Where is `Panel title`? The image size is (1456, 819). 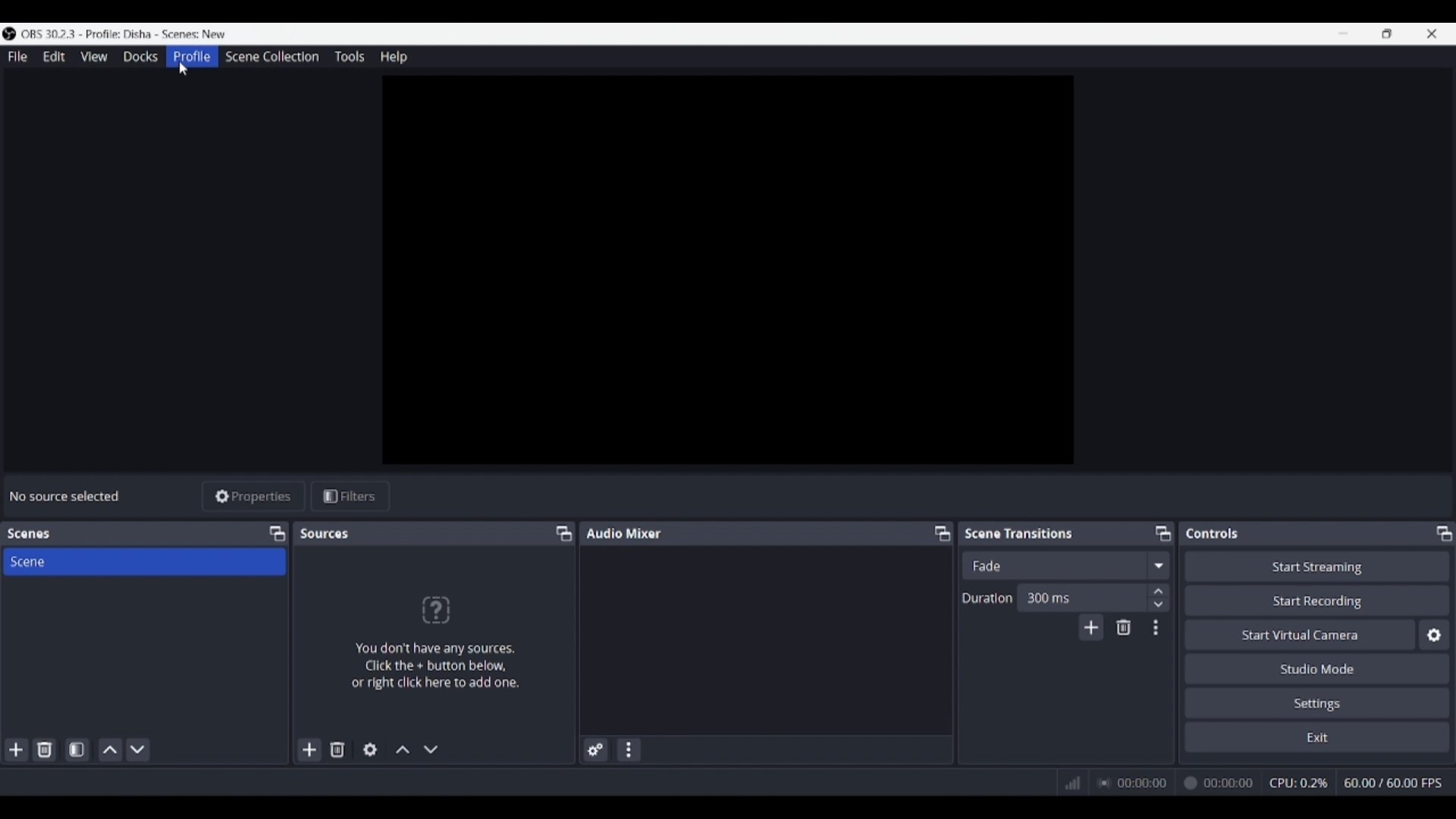 Panel title is located at coordinates (29, 534).